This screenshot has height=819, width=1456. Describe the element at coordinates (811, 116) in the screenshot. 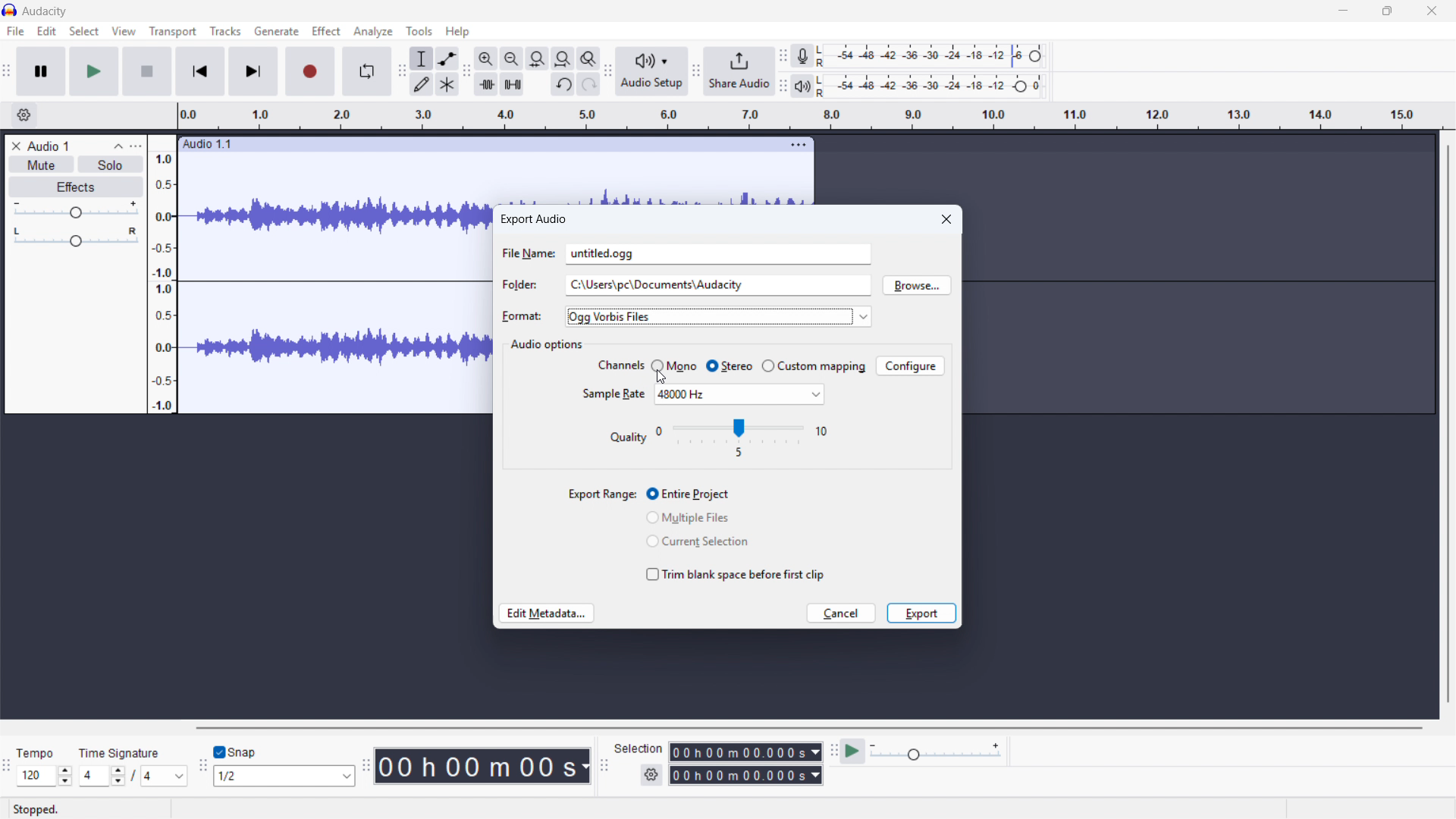

I see `Timeline ` at that location.